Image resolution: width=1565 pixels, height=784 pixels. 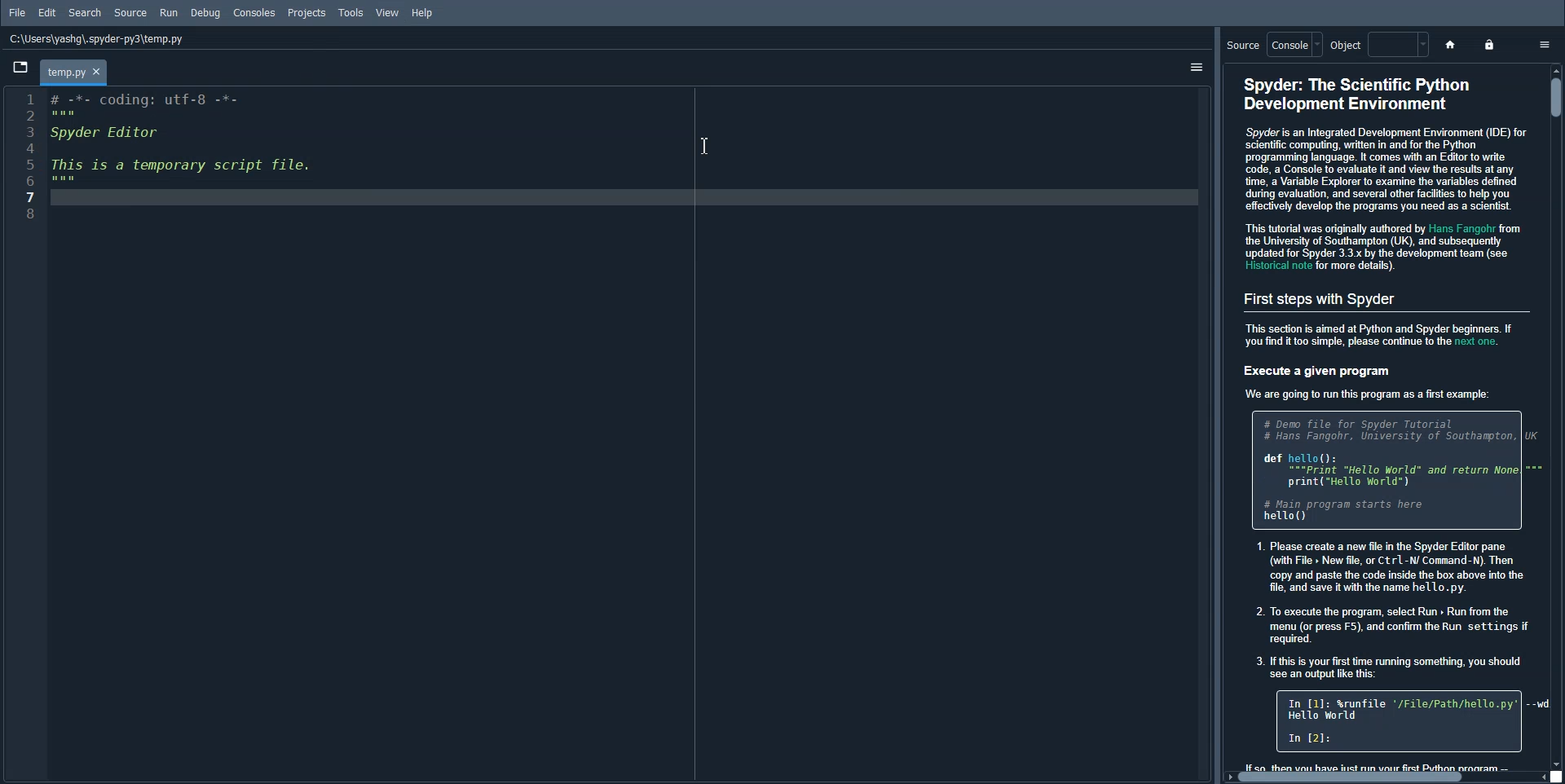 I want to click on Help, so click(x=423, y=12).